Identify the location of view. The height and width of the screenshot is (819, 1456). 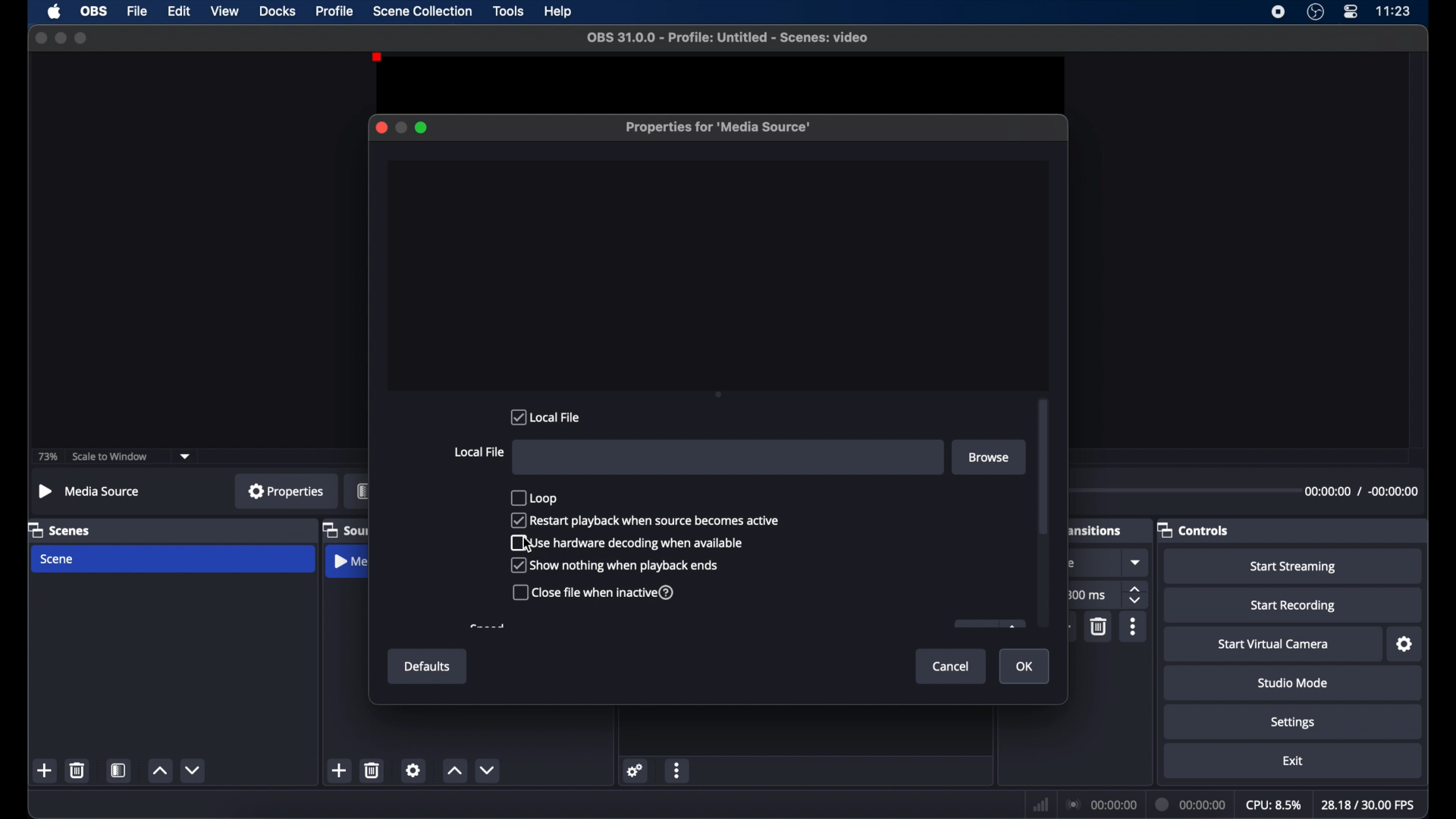
(224, 11).